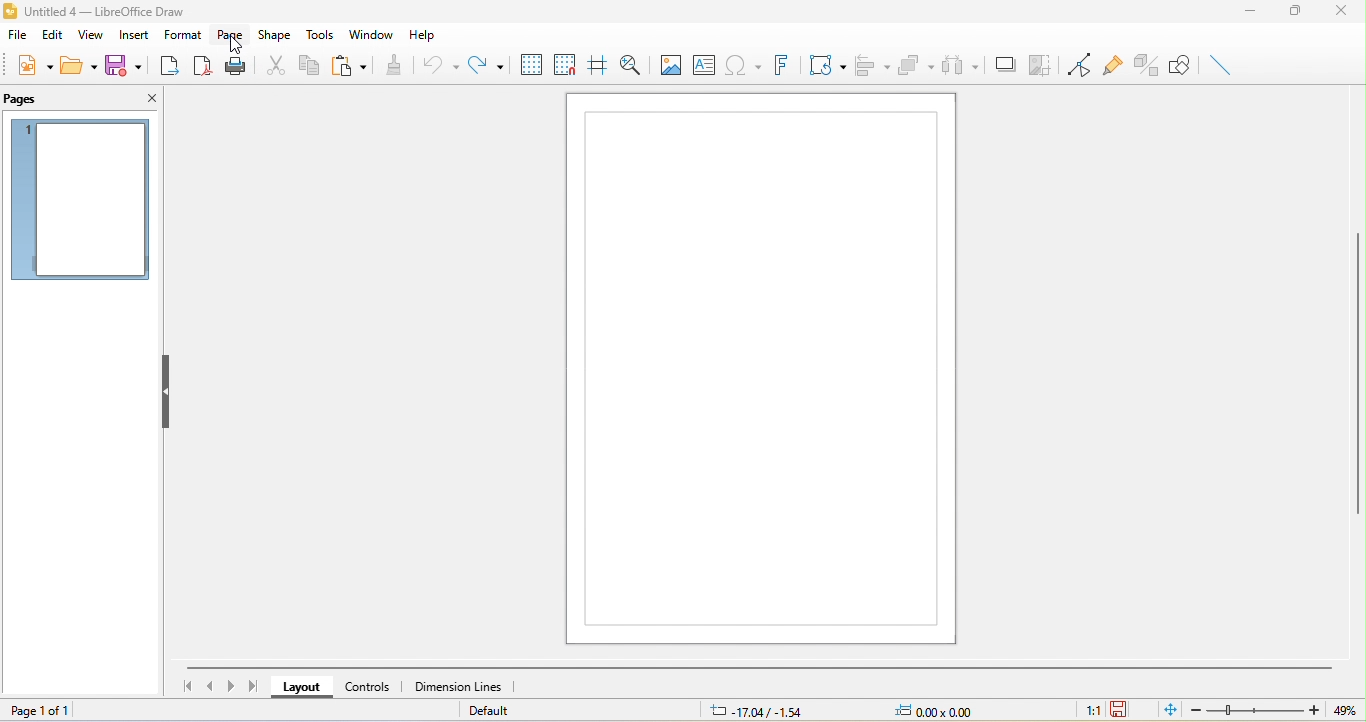 The width and height of the screenshot is (1366, 722). Describe the element at coordinates (1299, 13) in the screenshot. I see `maximize` at that location.